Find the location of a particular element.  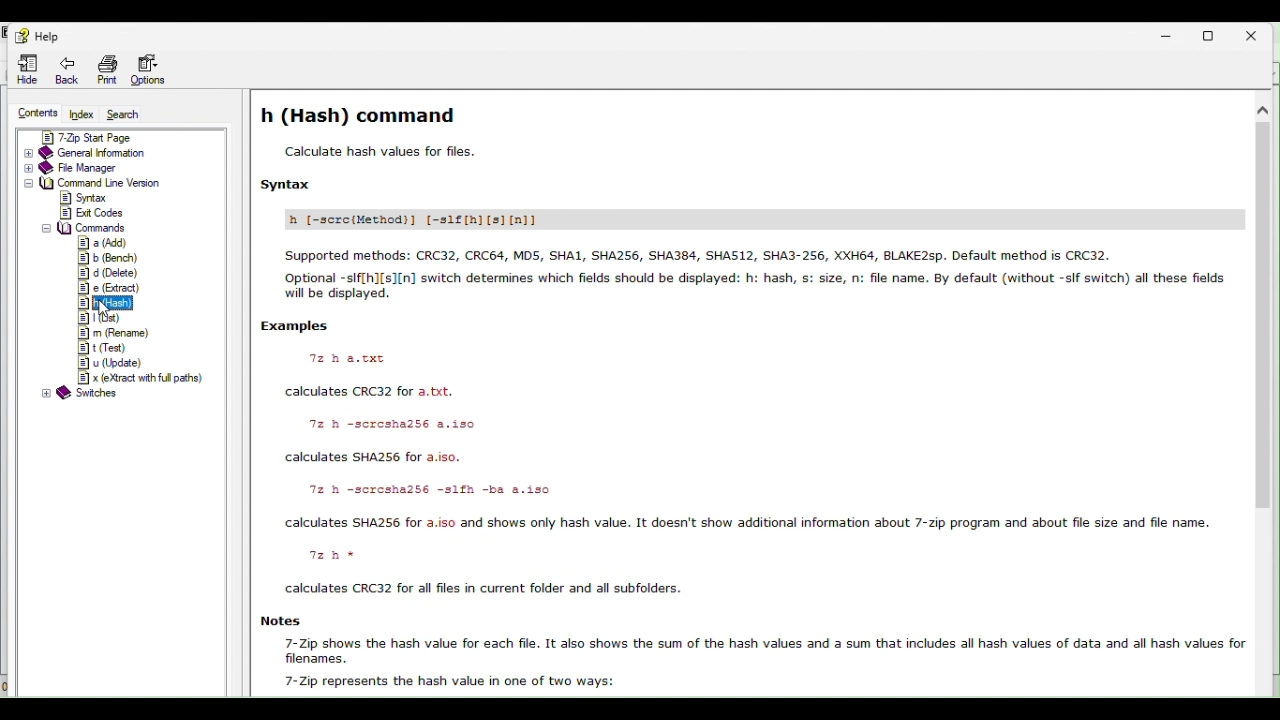

u(update) is located at coordinates (109, 364).